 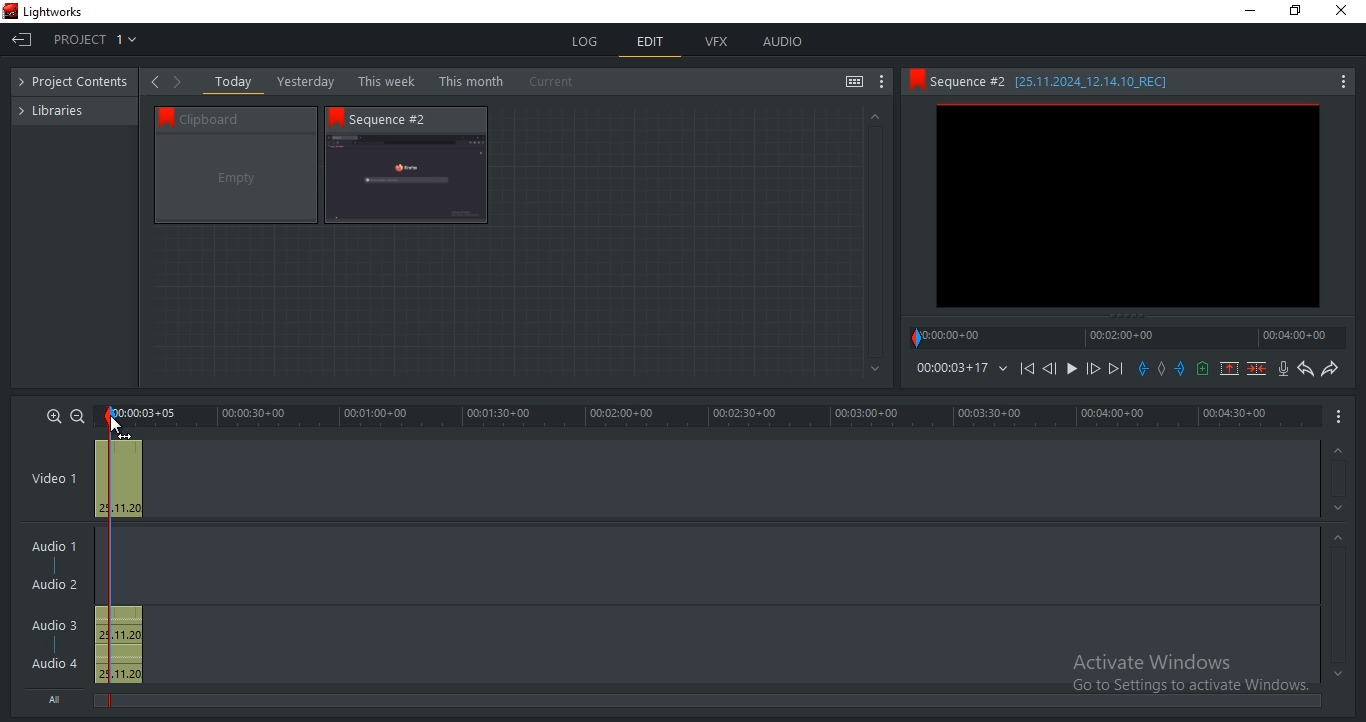 I want to click on sequence 2, so click(x=1128, y=208).